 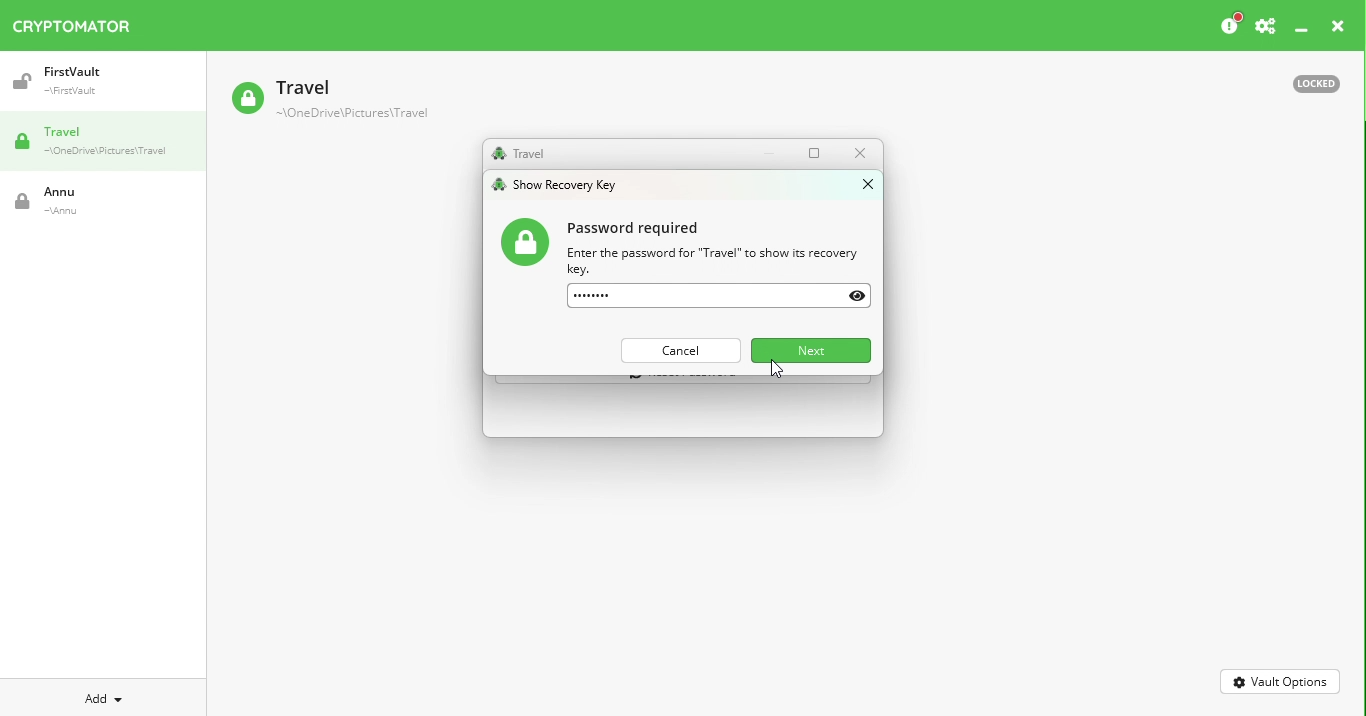 What do you see at coordinates (518, 154) in the screenshot?
I see `Travel` at bounding box center [518, 154].